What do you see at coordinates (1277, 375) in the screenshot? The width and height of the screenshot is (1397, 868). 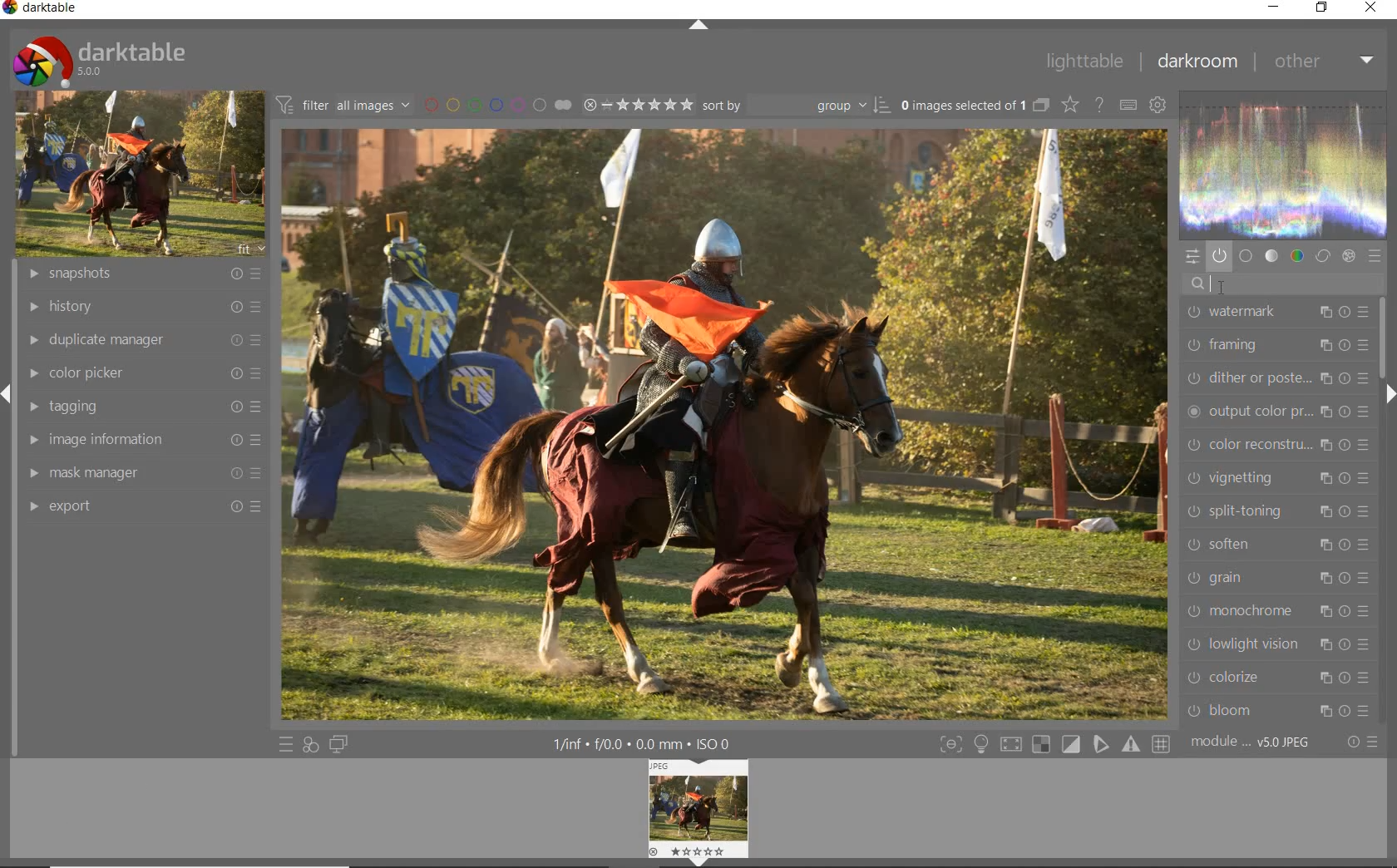 I see `dither or paste` at bounding box center [1277, 375].